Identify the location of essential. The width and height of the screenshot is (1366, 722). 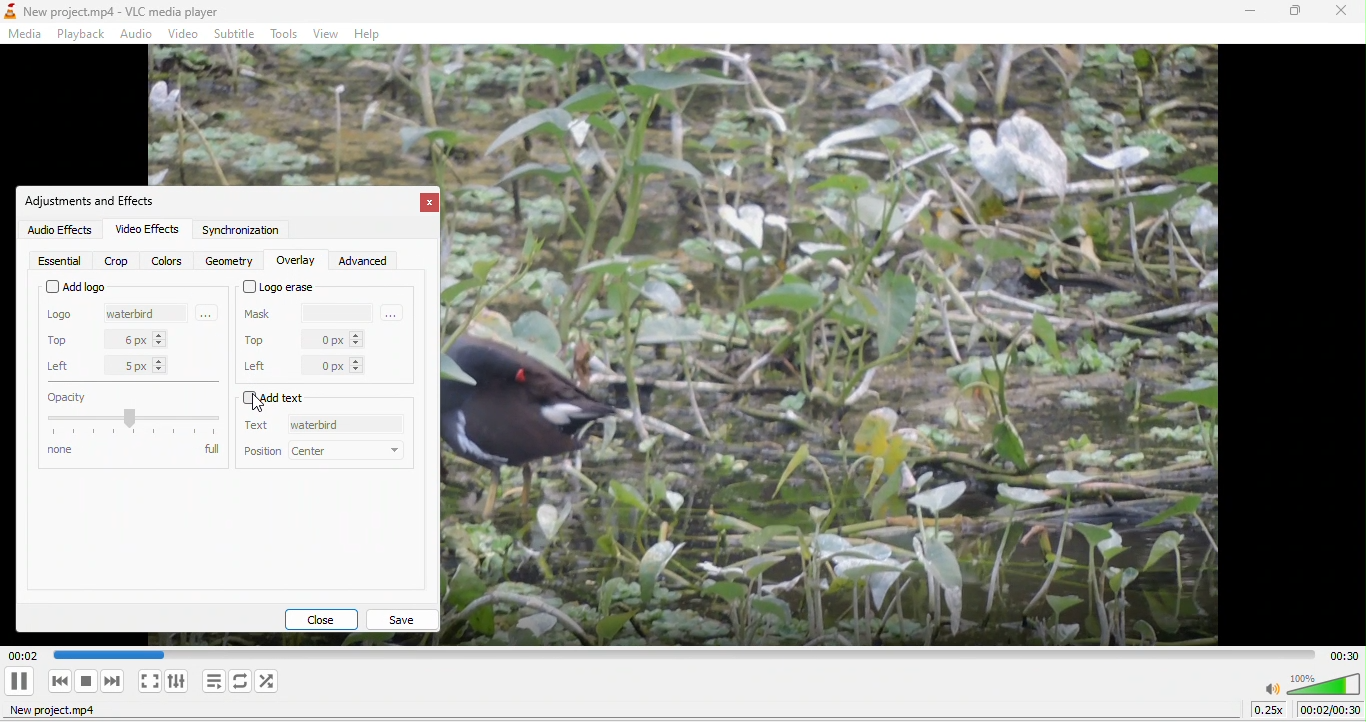
(59, 261).